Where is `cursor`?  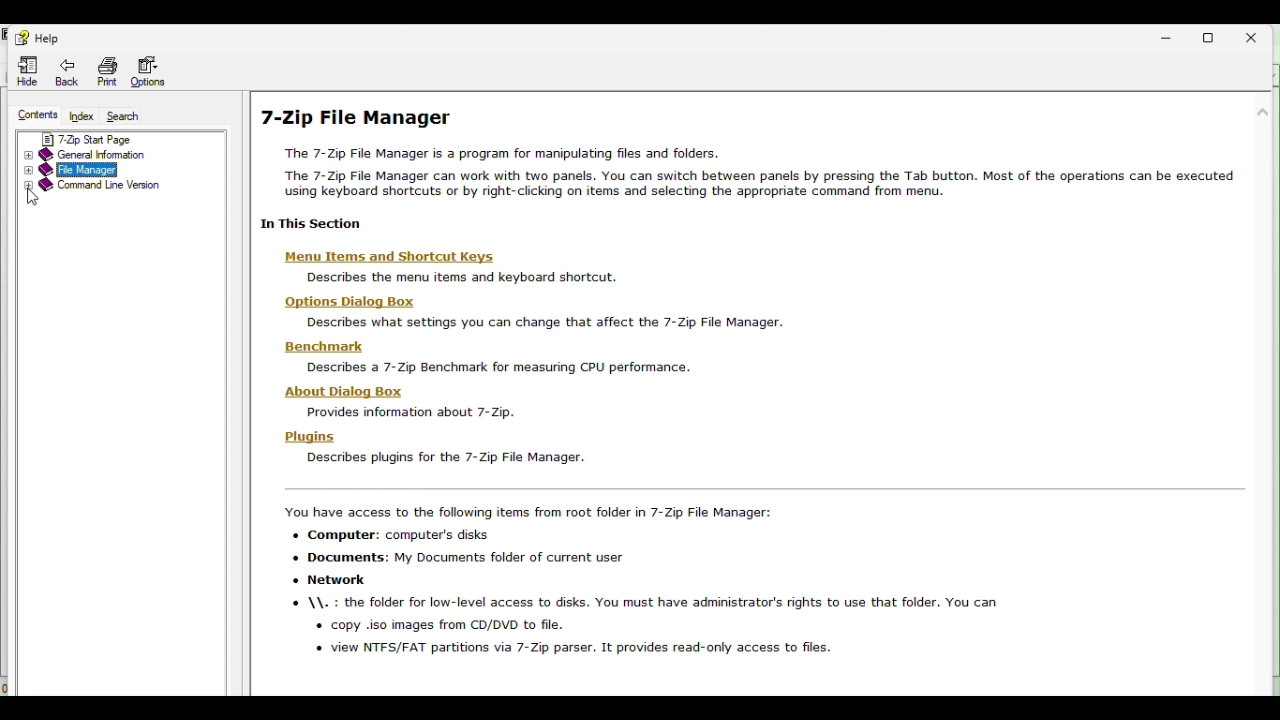
cursor is located at coordinates (34, 199).